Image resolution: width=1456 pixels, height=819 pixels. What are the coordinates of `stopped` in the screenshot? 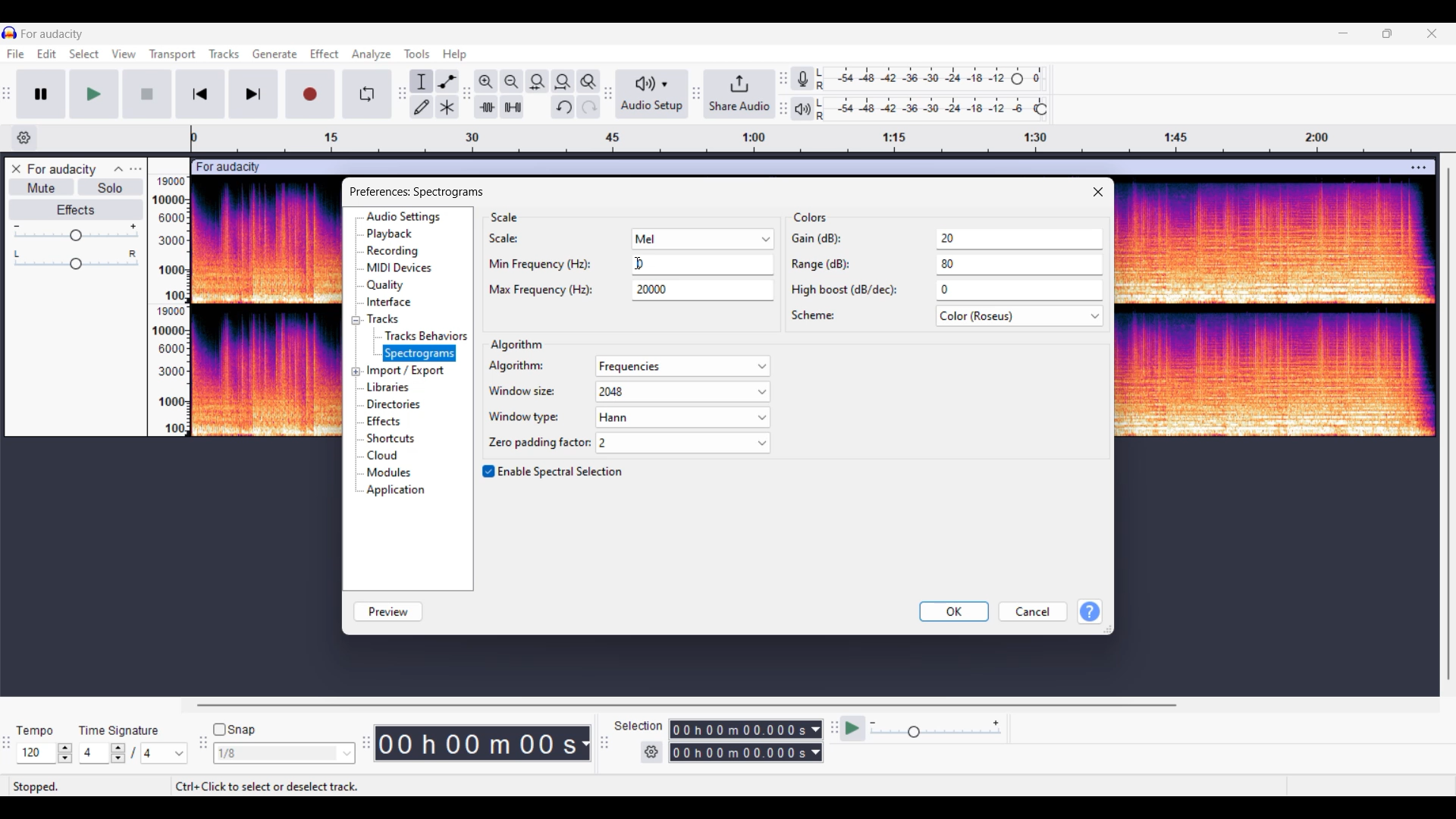 It's located at (49, 786).